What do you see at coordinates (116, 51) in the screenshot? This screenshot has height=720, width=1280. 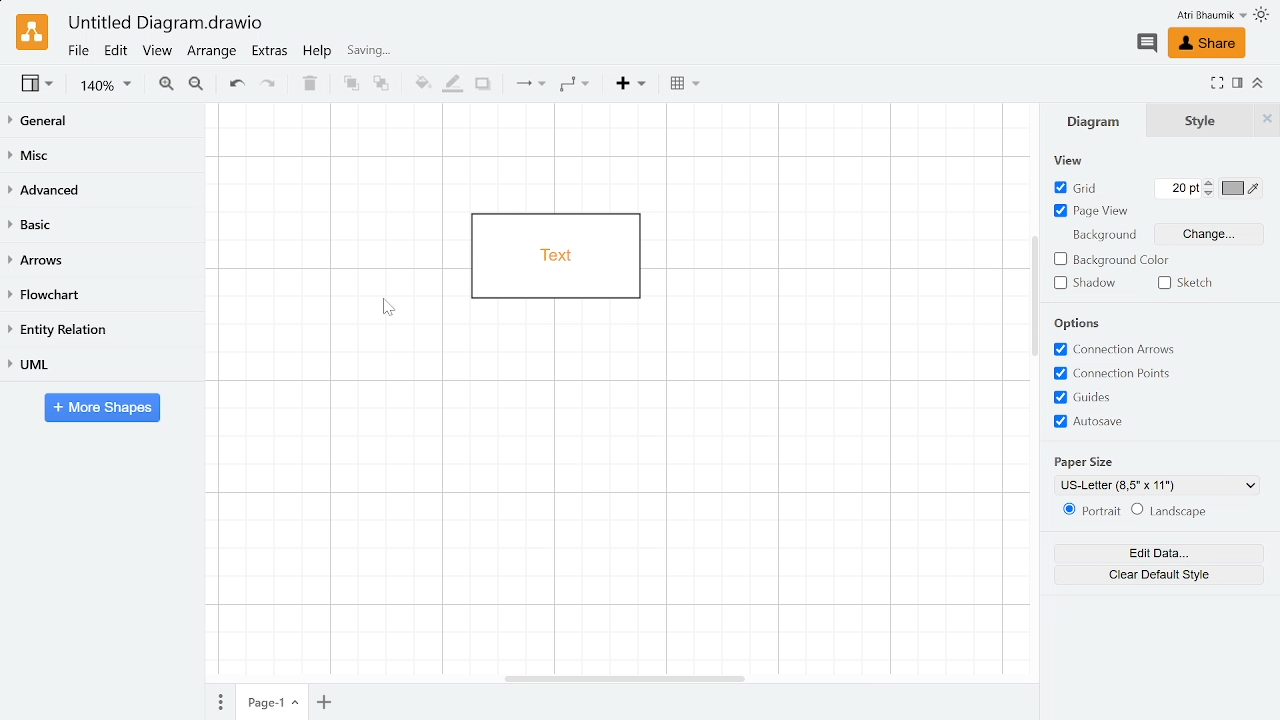 I see `Edit` at bounding box center [116, 51].